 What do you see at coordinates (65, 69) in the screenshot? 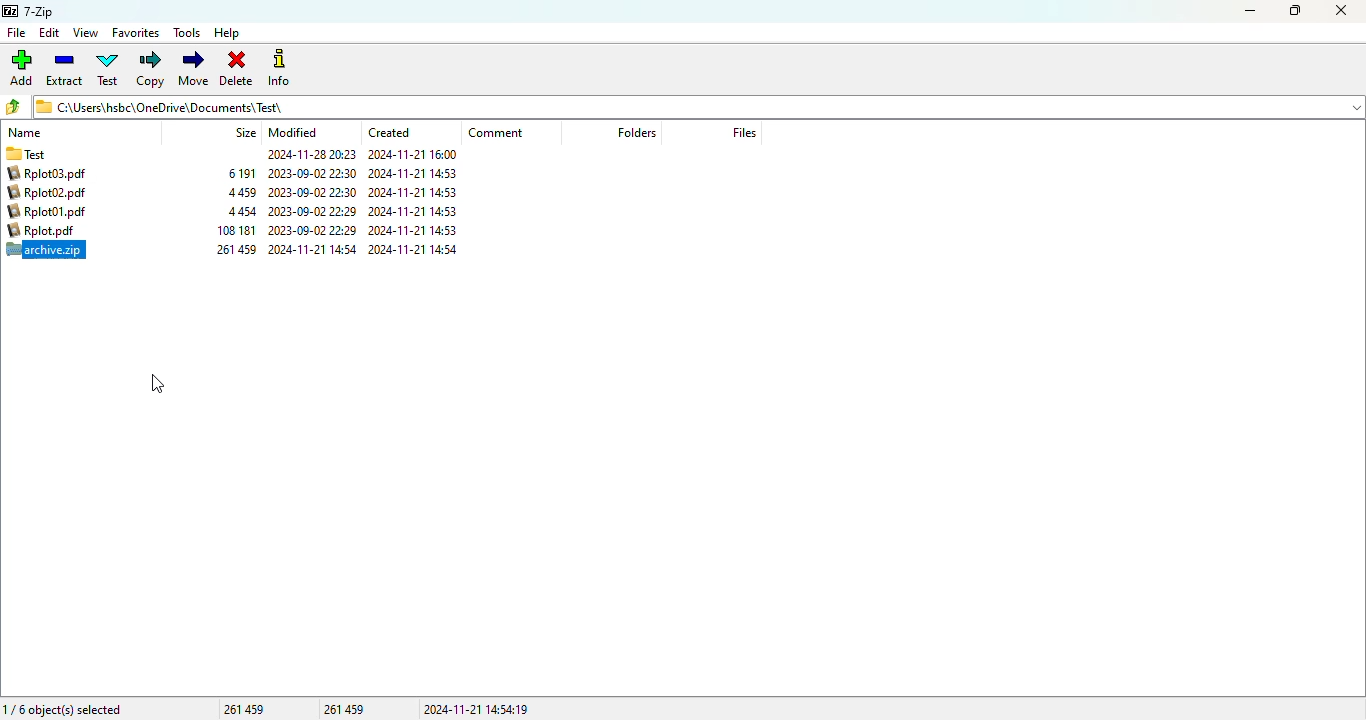
I see `extract` at bounding box center [65, 69].